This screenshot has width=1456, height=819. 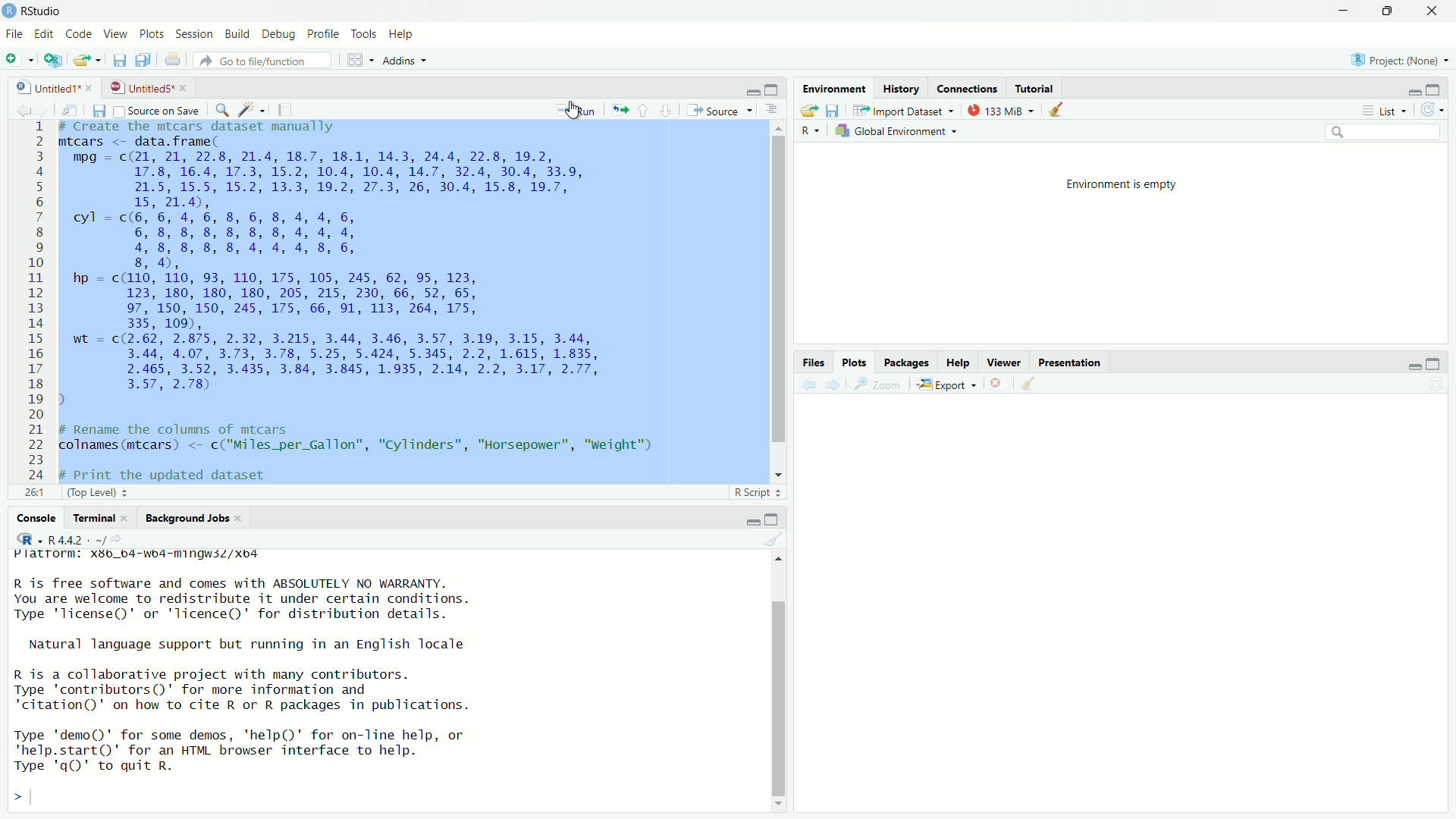 What do you see at coordinates (960, 364) in the screenshot?
I see `Help` at bounding box center [960, 364].